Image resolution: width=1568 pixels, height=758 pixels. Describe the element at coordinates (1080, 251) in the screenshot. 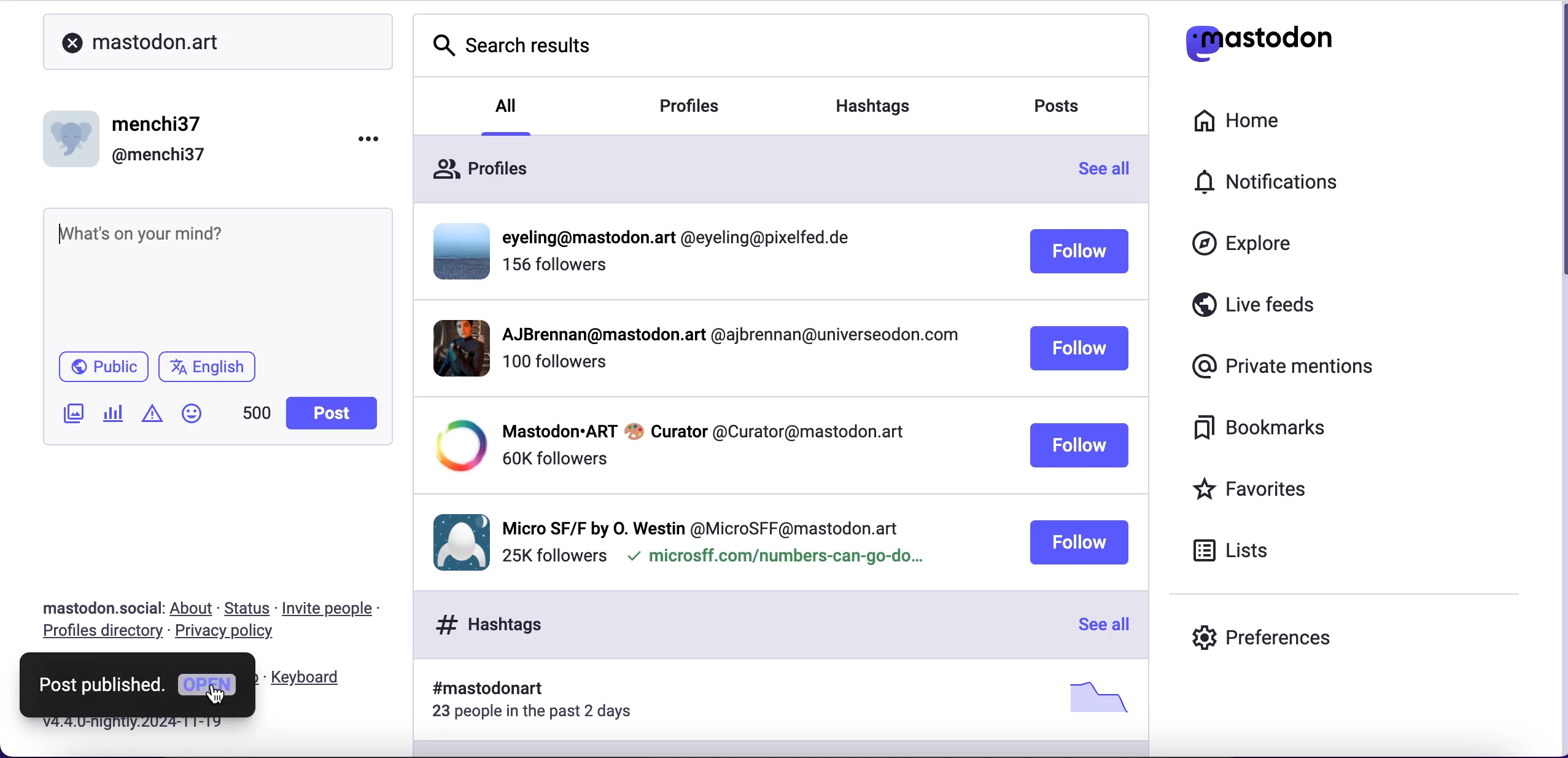

I see `follow` at that location.